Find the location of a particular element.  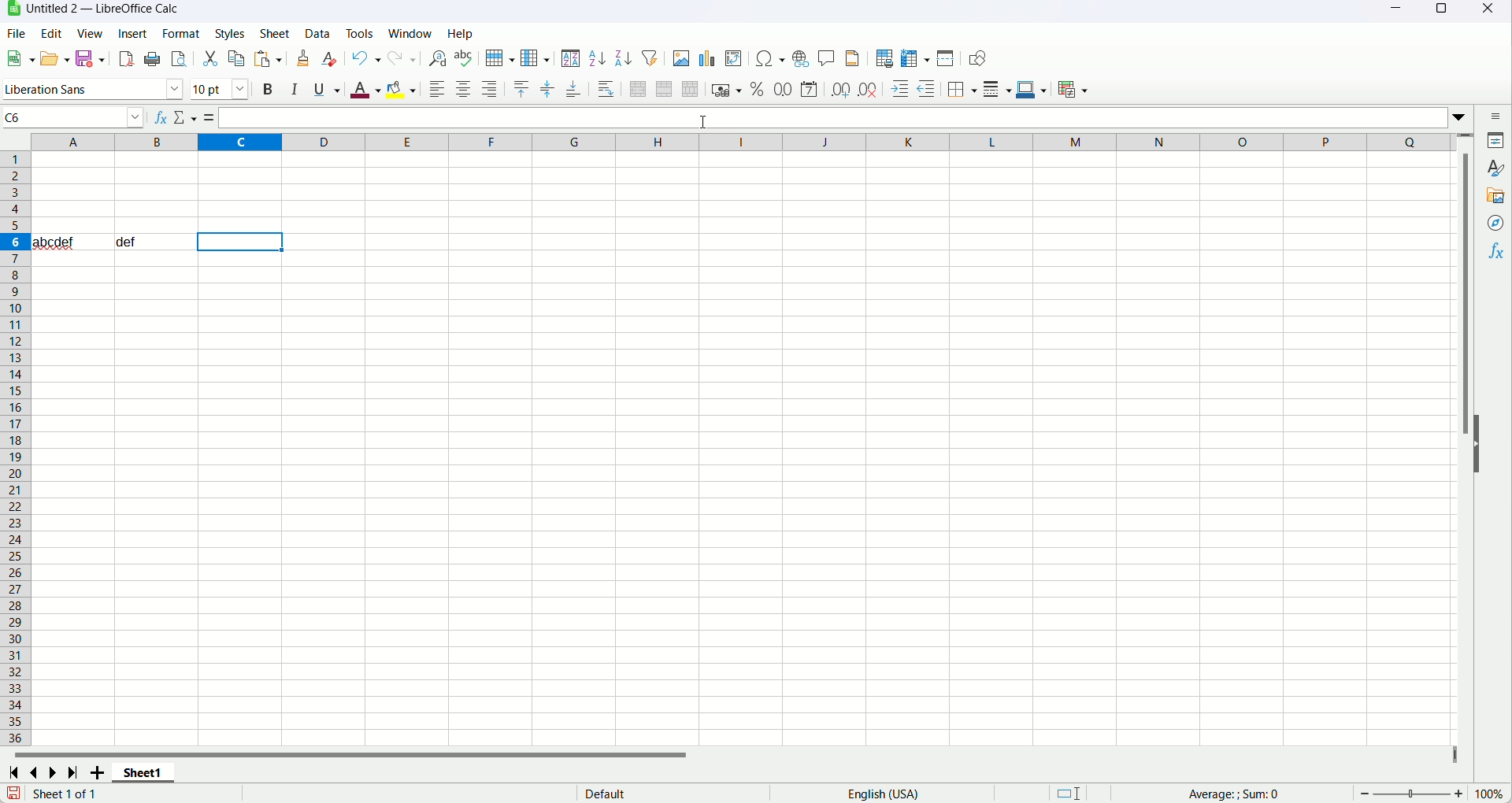

format is located at coordinates (180, 34).